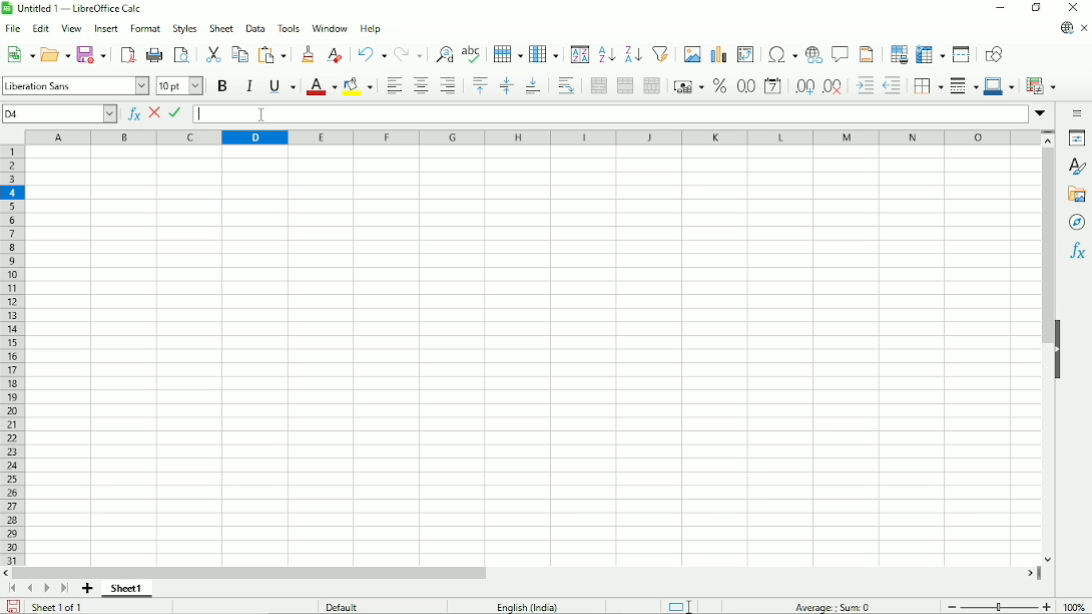  I want to click on Border color, so click(1001, 87).